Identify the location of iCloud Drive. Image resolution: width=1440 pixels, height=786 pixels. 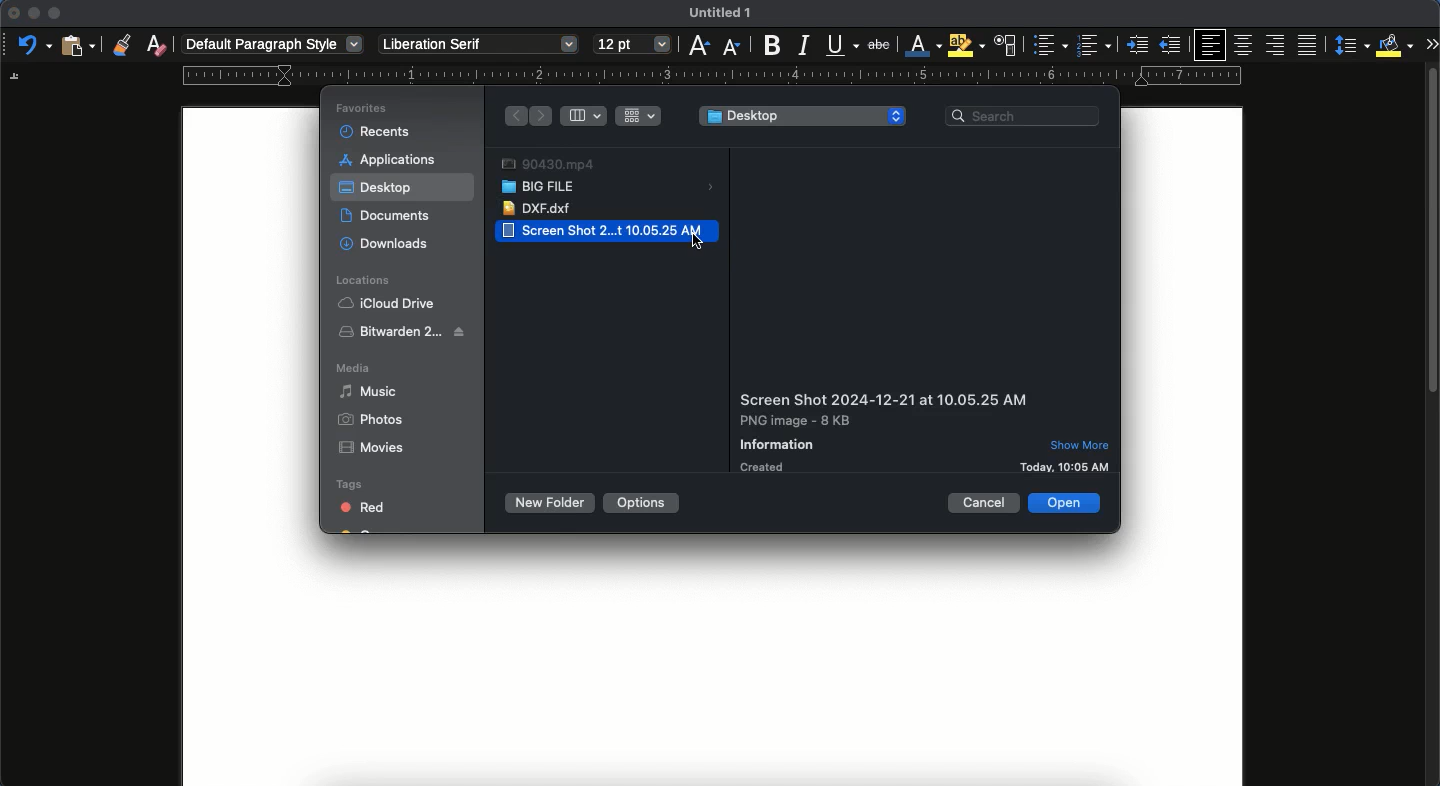
(389, 303).